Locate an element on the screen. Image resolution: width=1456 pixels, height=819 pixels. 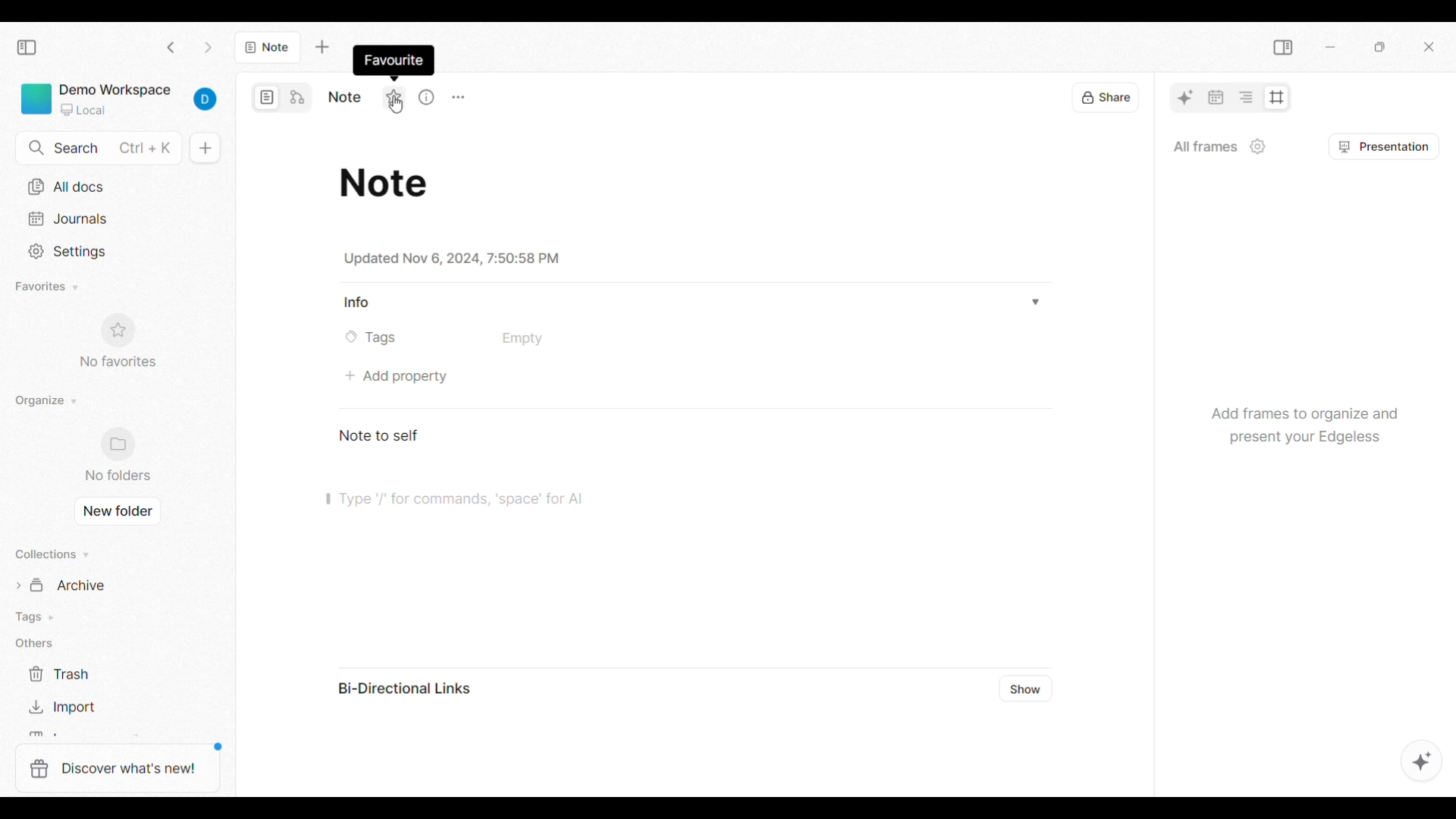
Share workspace with others is located at coordinates (1106, 97).